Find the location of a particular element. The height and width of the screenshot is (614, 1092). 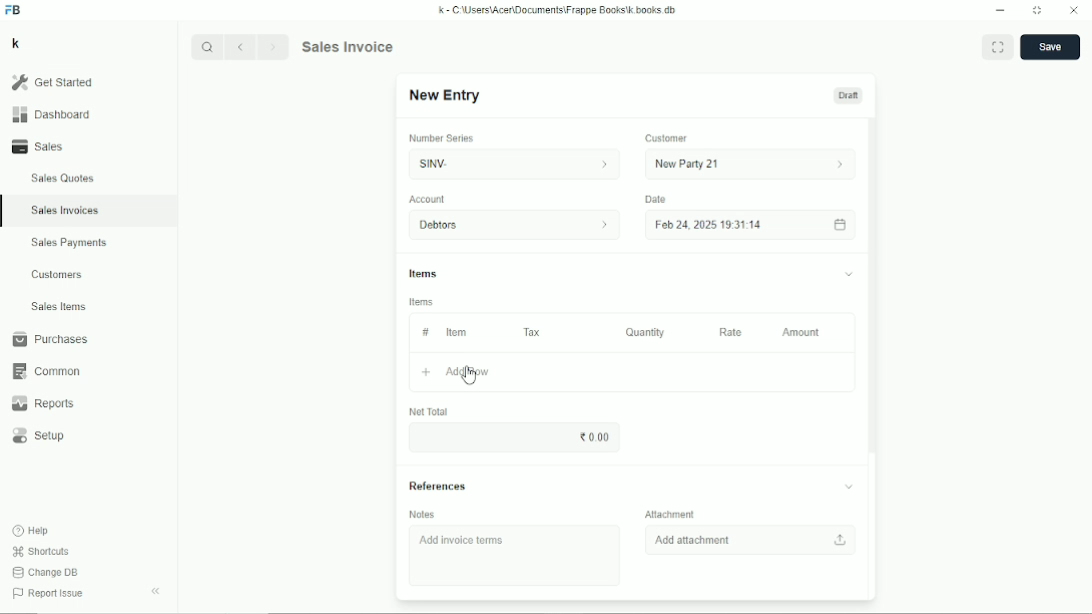

Forward is located at coordinates (275, 45).